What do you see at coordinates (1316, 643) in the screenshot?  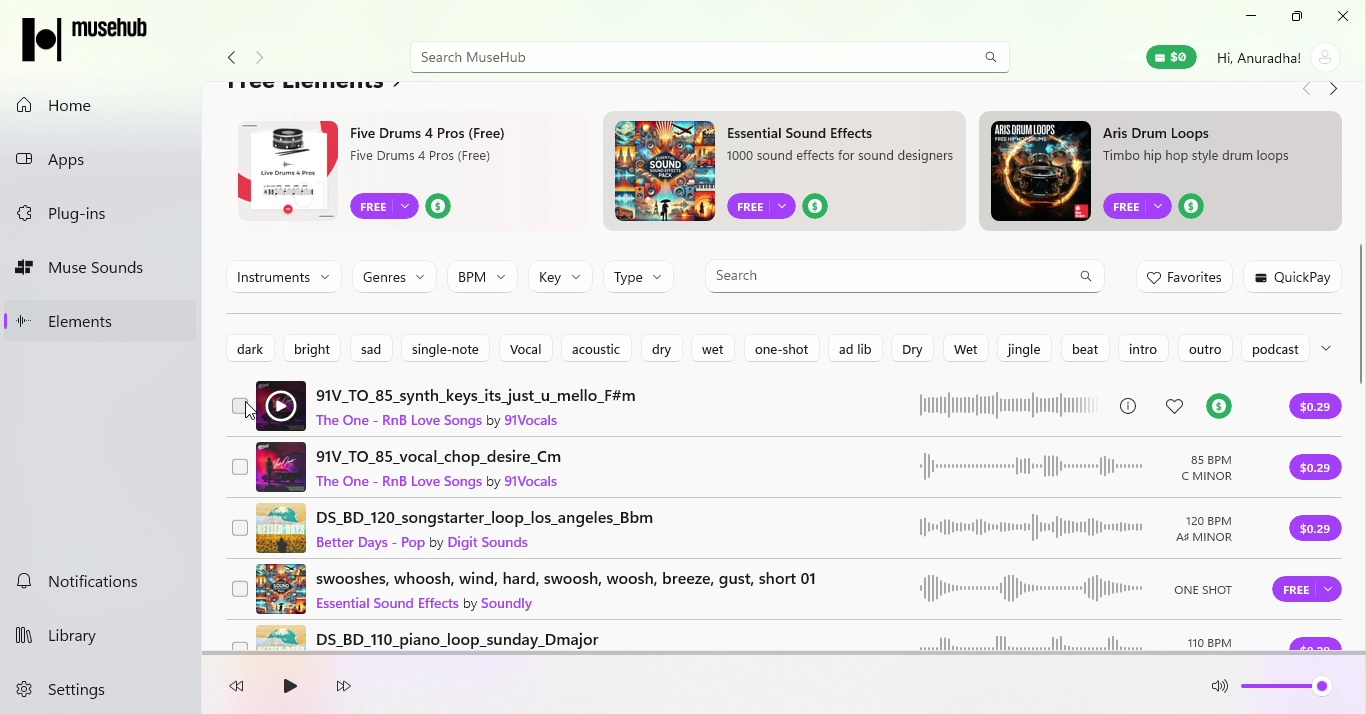 I see `obscure button` at bounding box center [1316, 643].